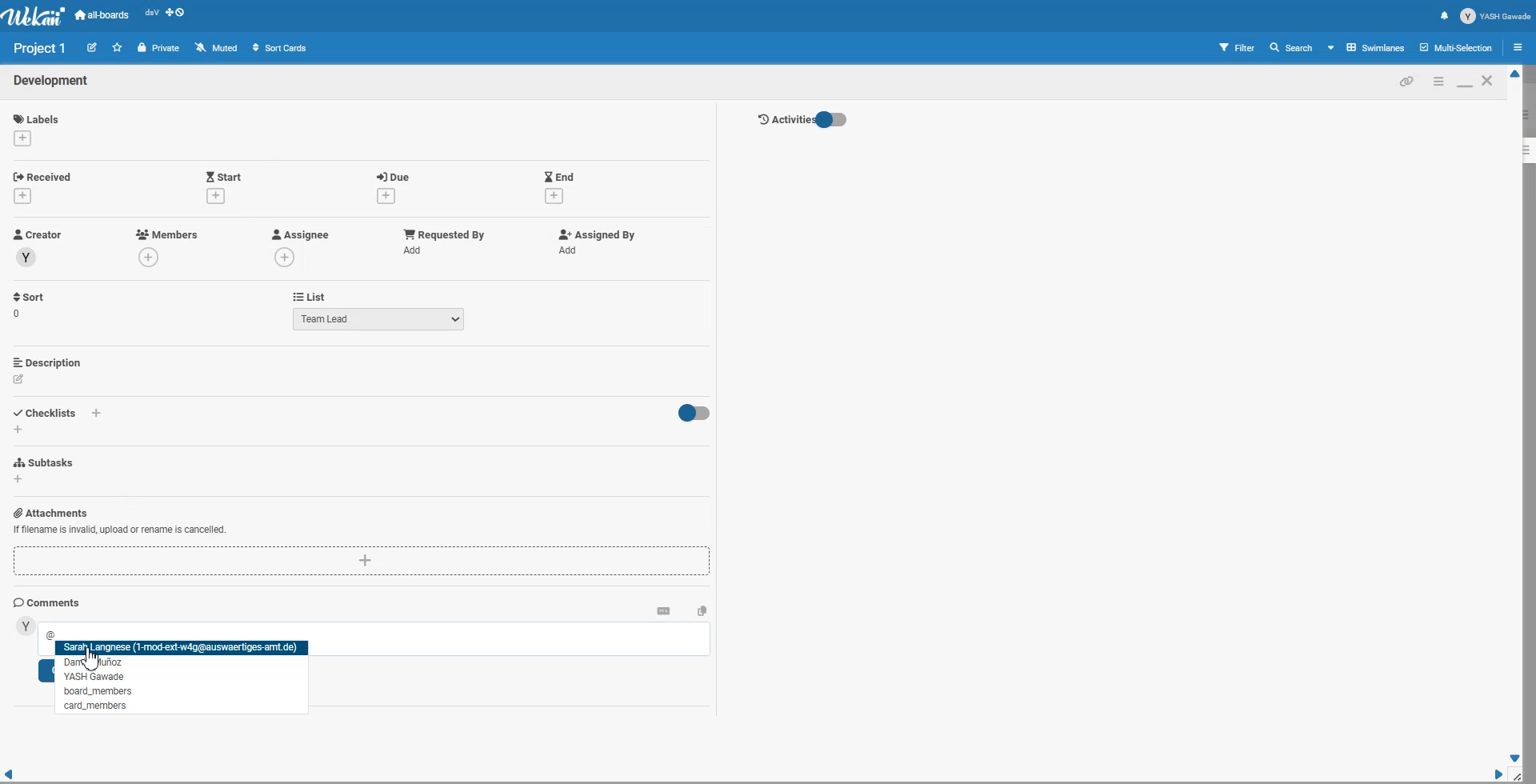 The width and height of the screenshot is (1536, 784). What do you see at coordinates (215, 195) in the screenshot?
I see `add` at bounding box center [215, 195].